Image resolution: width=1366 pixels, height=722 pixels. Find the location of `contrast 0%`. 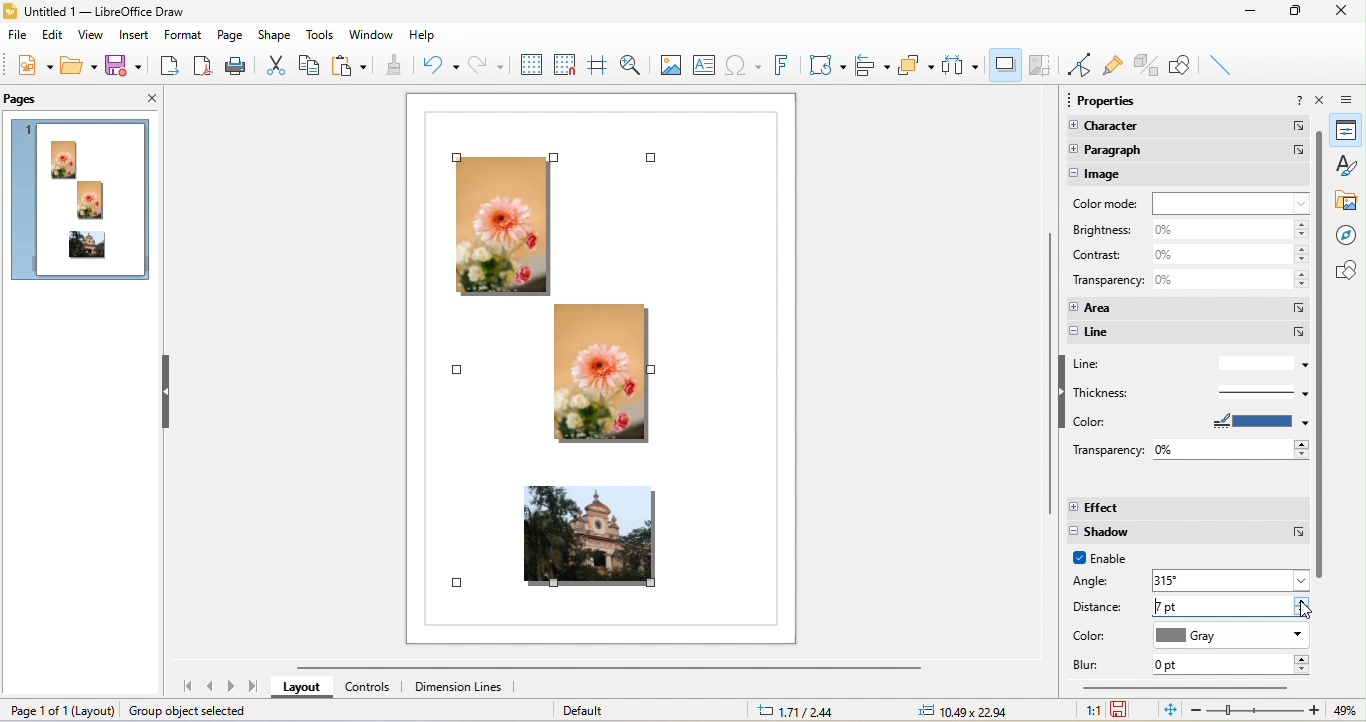

contrast 0% is located at coordinates (1187, 255).